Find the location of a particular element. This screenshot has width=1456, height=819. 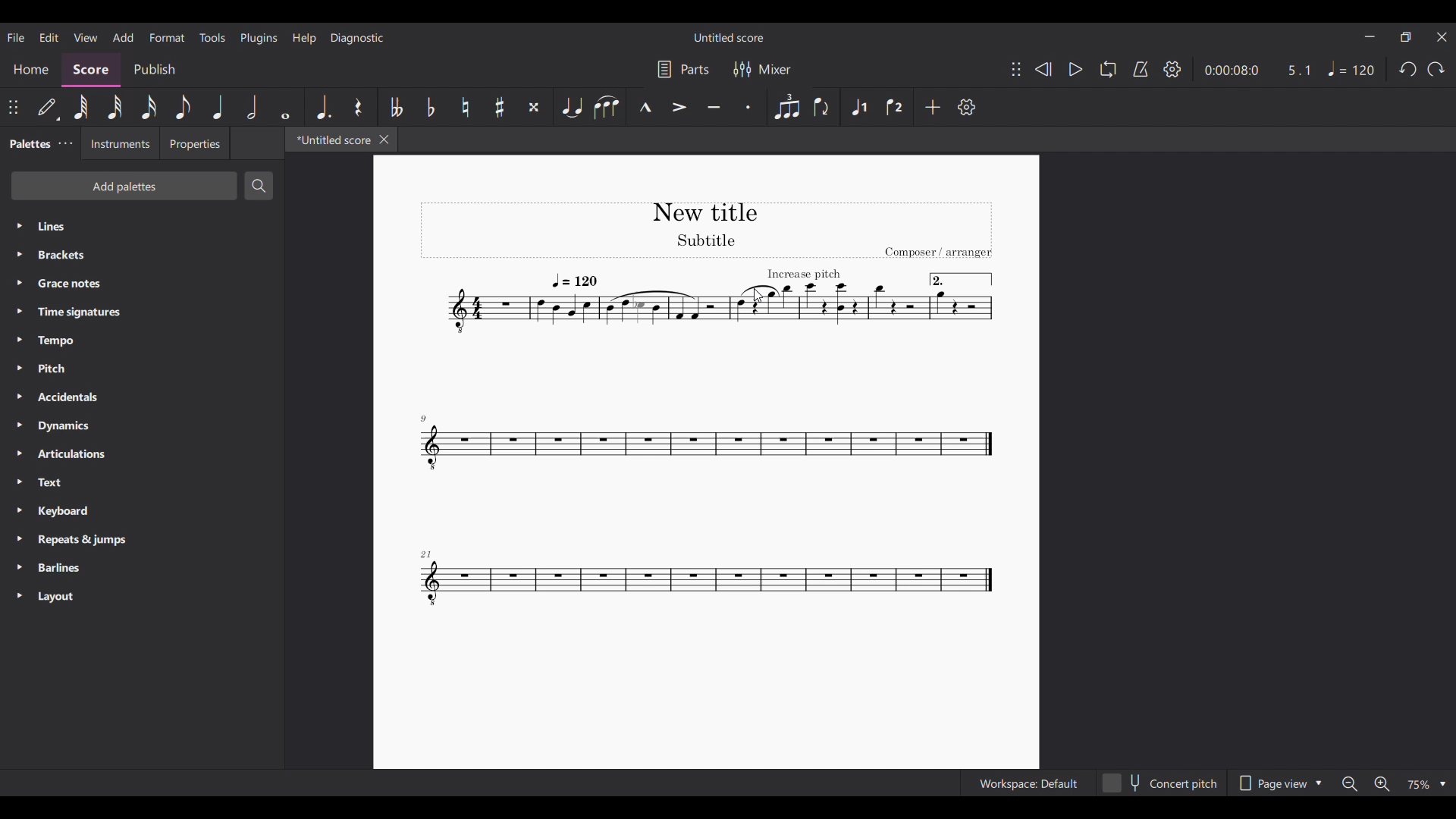

Pitch is located at coordinates (142, 369).